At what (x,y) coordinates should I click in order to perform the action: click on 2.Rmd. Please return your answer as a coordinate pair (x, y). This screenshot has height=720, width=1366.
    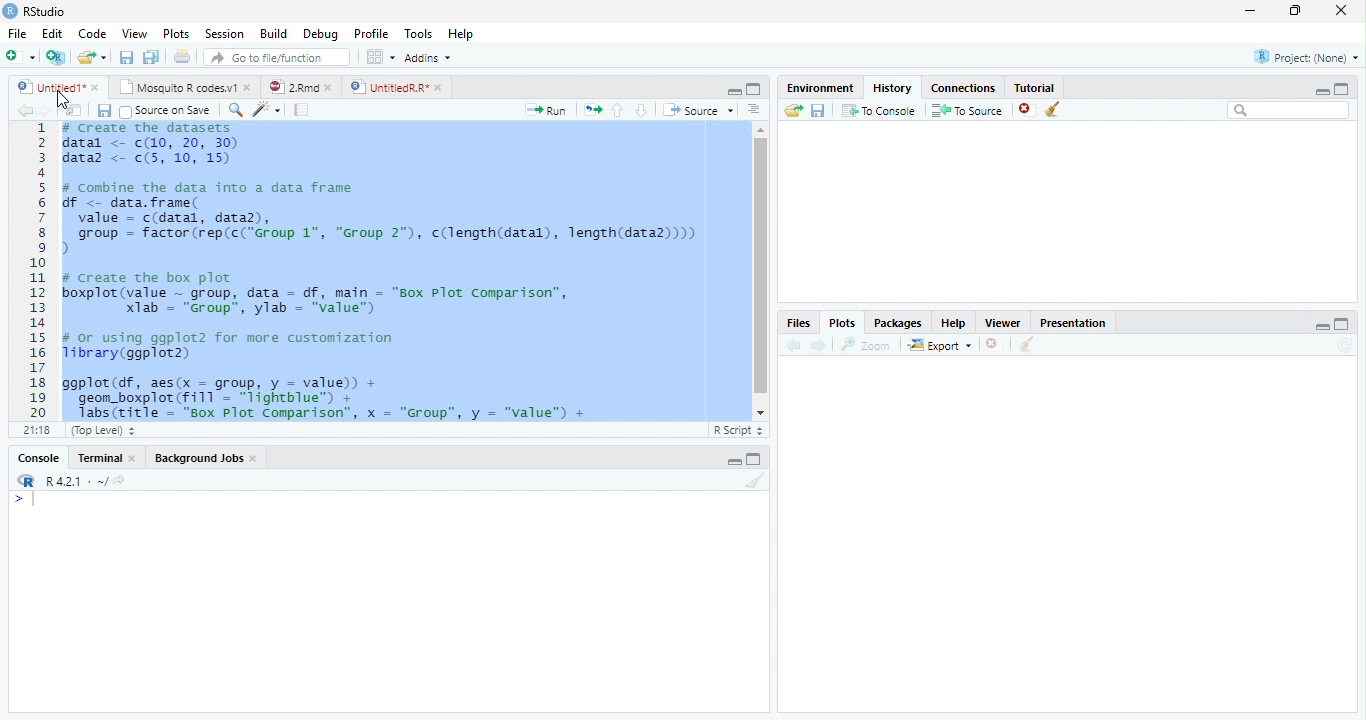
    Looking at the image, I should click on (292, 87).